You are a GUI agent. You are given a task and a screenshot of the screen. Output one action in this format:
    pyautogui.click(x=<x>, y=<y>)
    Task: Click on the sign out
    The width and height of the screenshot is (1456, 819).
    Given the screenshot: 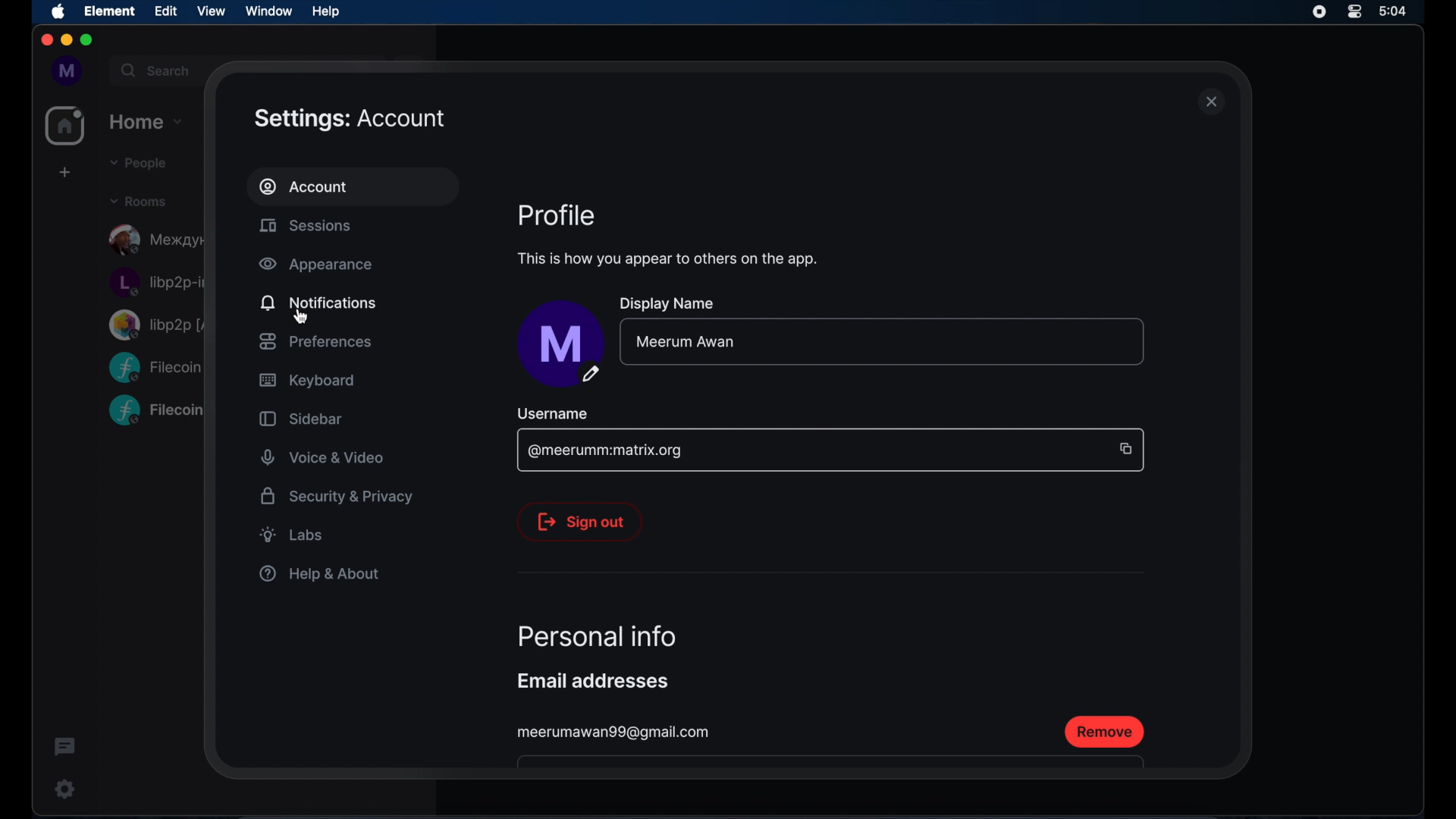 What is the action you would take?
    pyautogui.click(x=579, y=522)
    